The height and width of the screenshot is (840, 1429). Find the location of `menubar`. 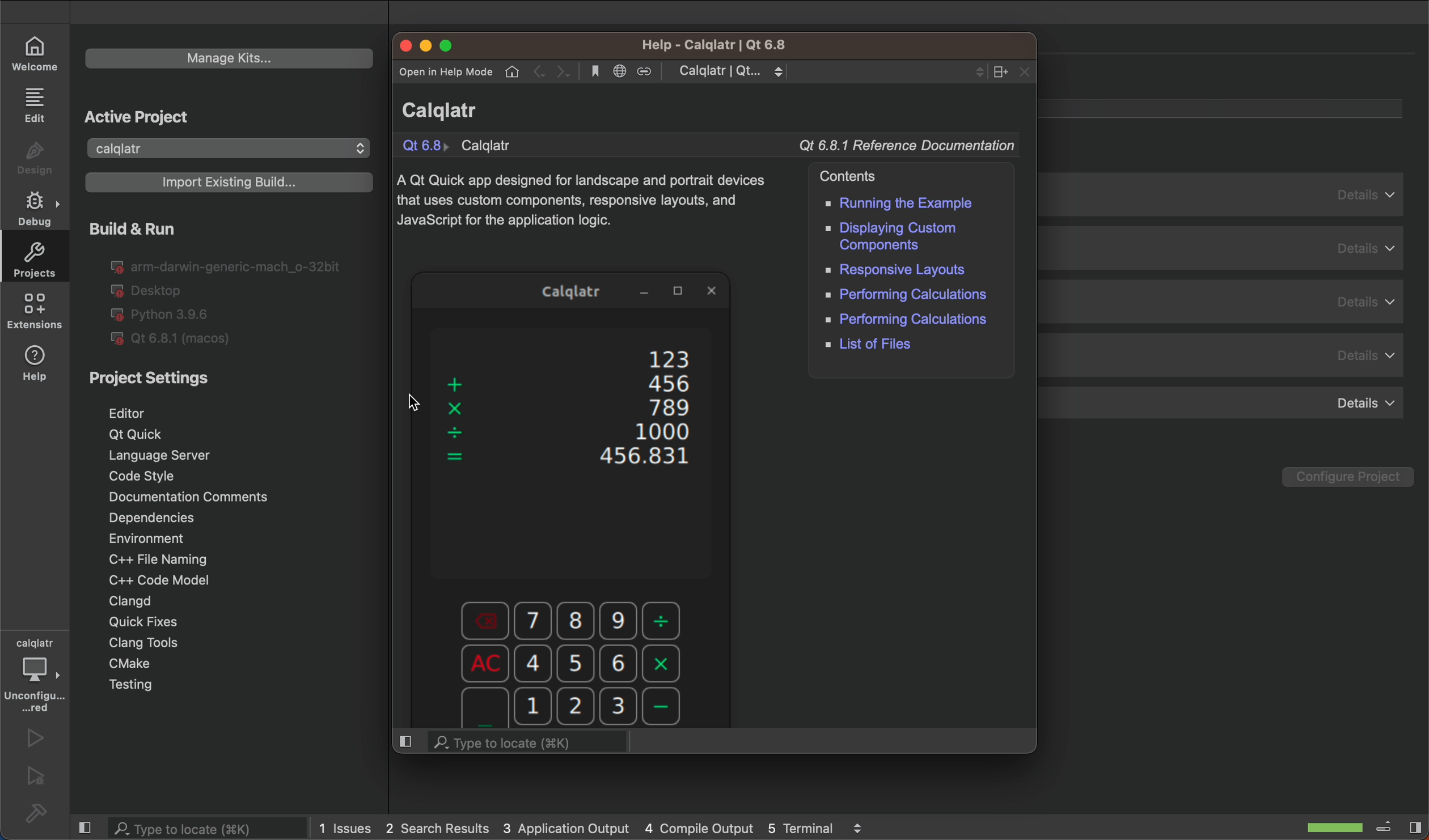

menubar is located at coordinates (712, 73).